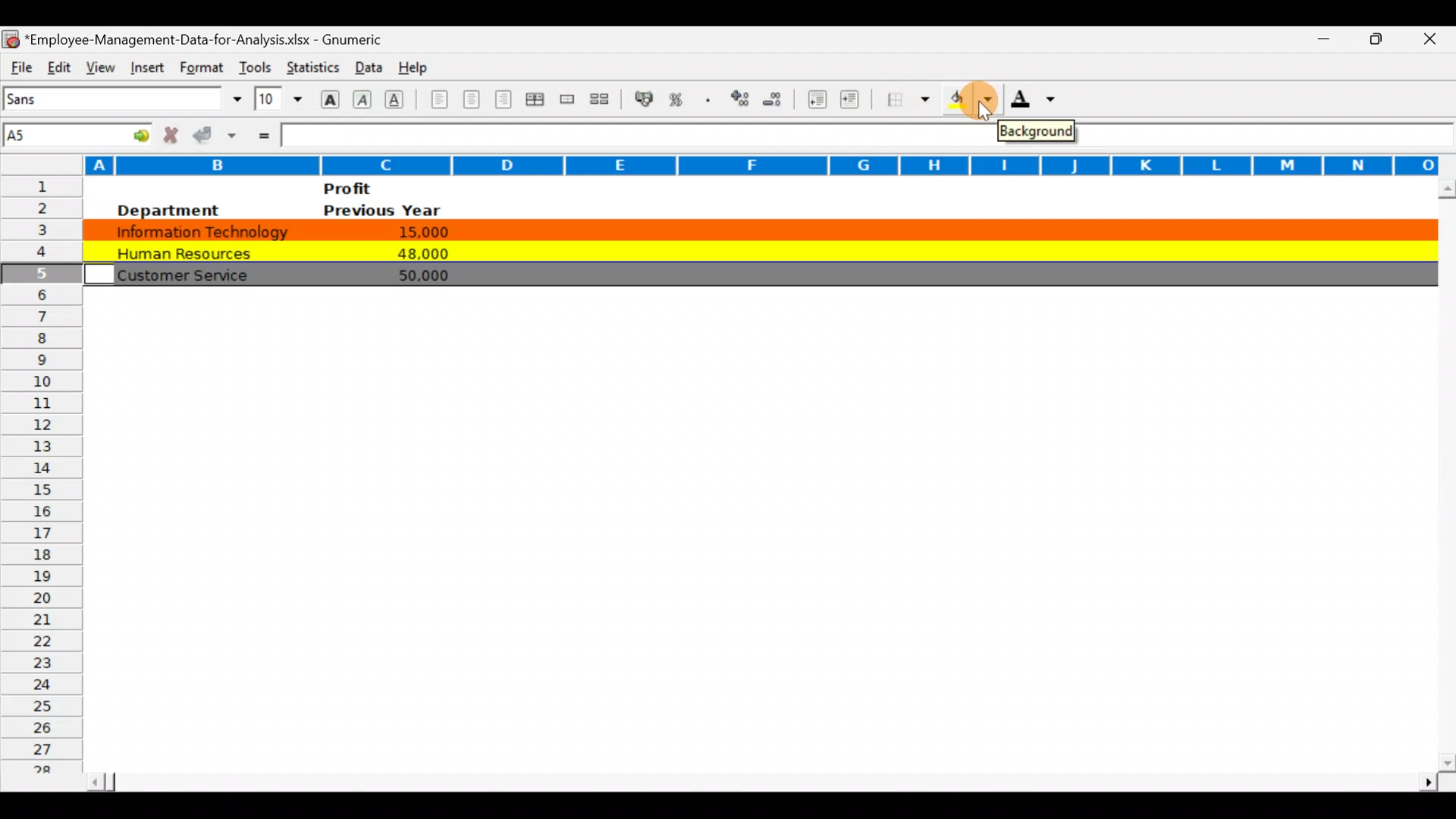 This screenshot has height=819, width=1456. I want to click on Selected row 3 of data highlighted with color, so click(755, 227).